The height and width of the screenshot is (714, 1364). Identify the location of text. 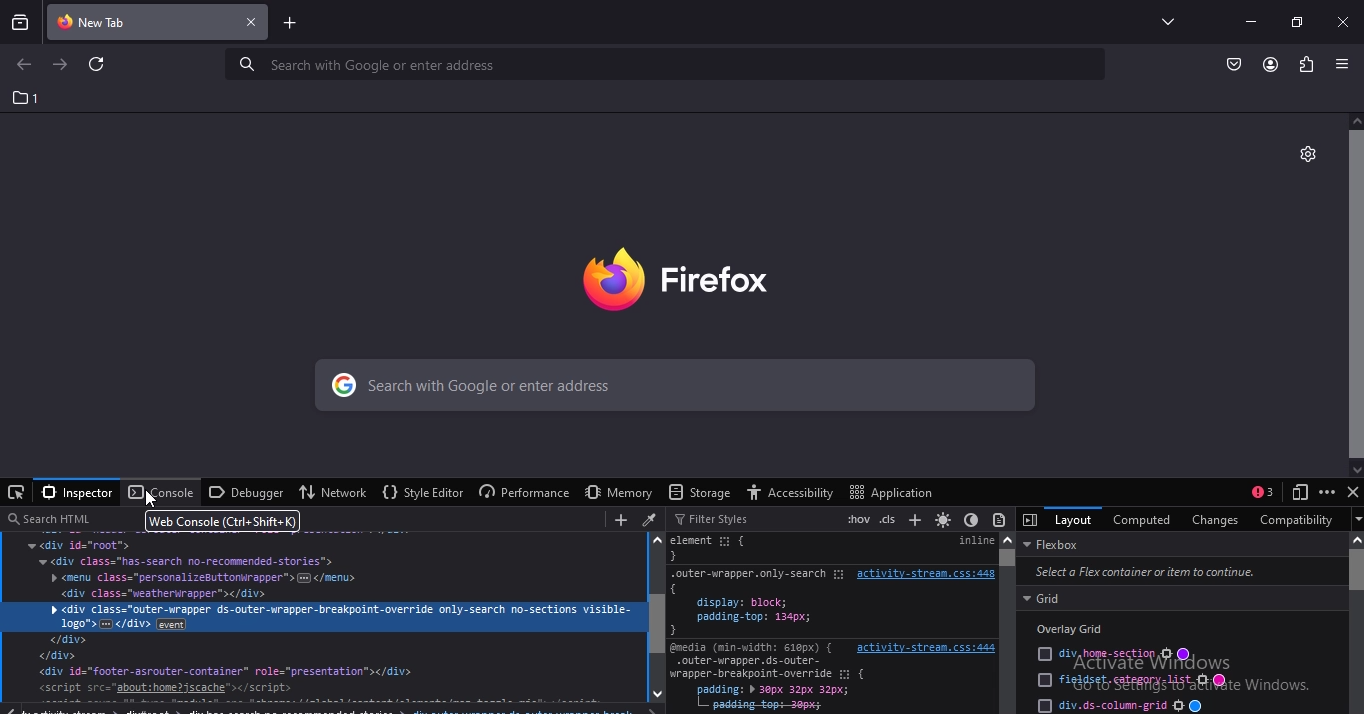
(325, 624).